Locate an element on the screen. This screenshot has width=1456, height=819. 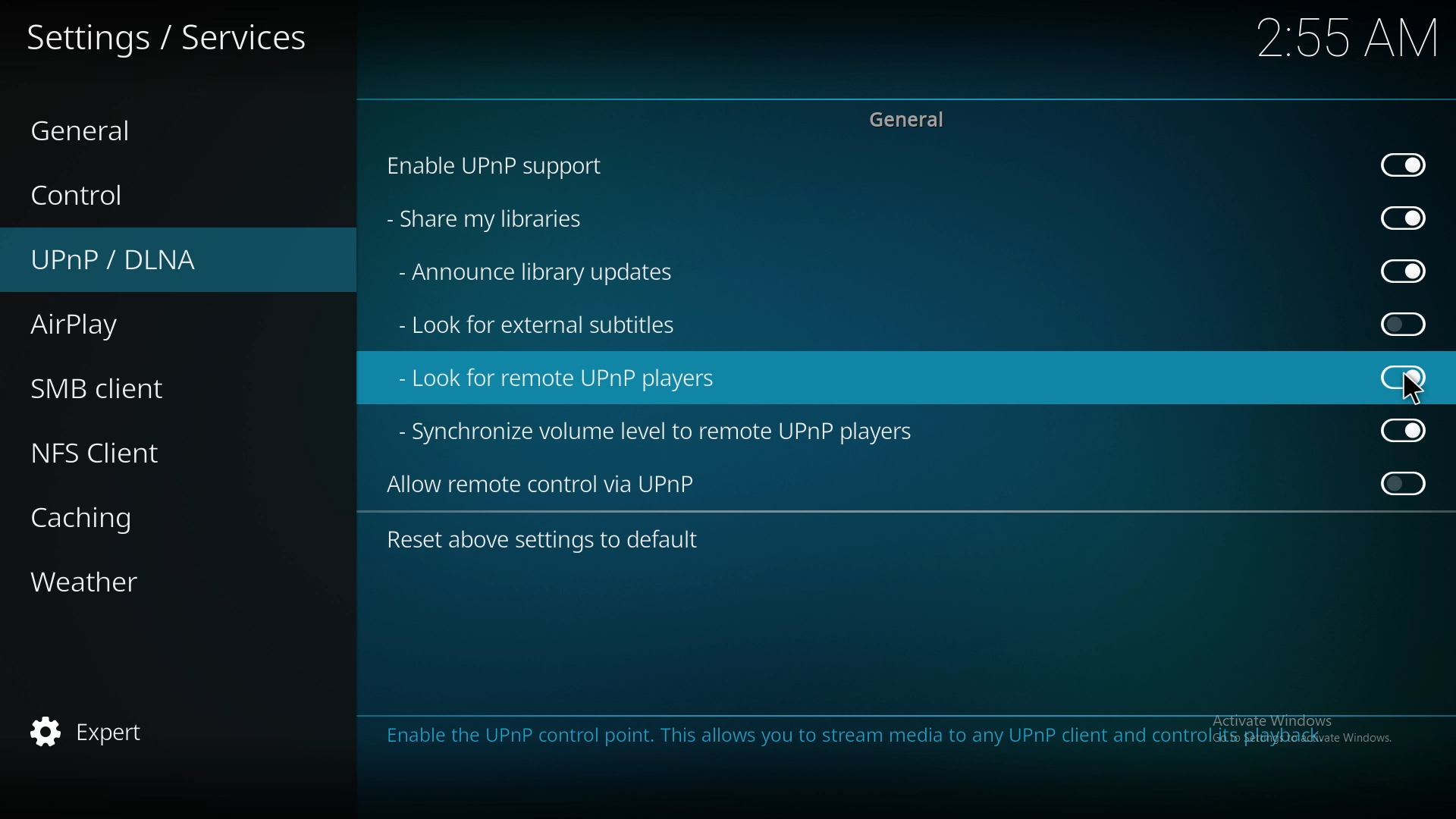
announce library updates is located at coordinates (543, 271).